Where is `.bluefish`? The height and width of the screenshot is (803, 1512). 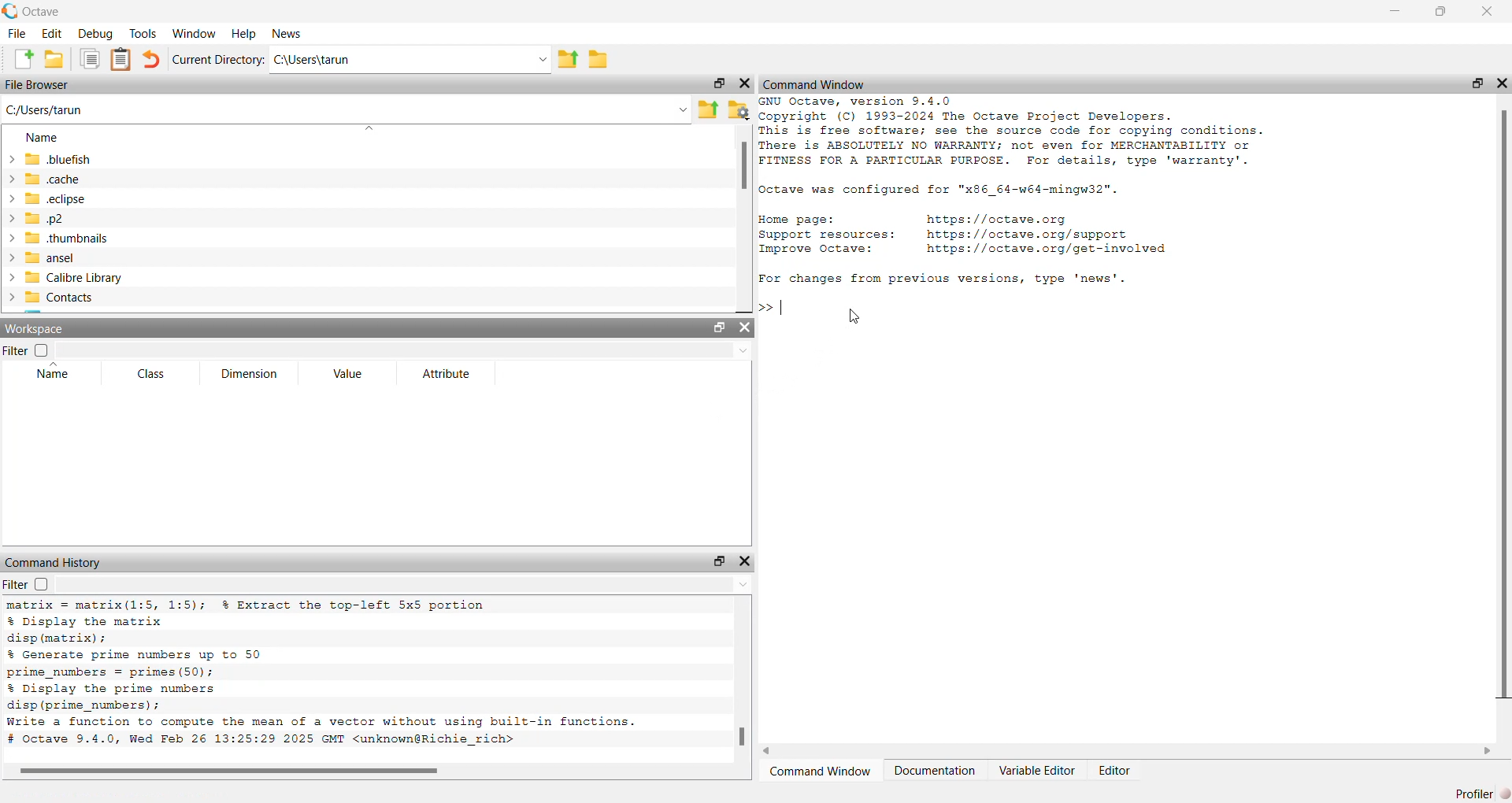 .bluefish is located at coordinates (58, 160).